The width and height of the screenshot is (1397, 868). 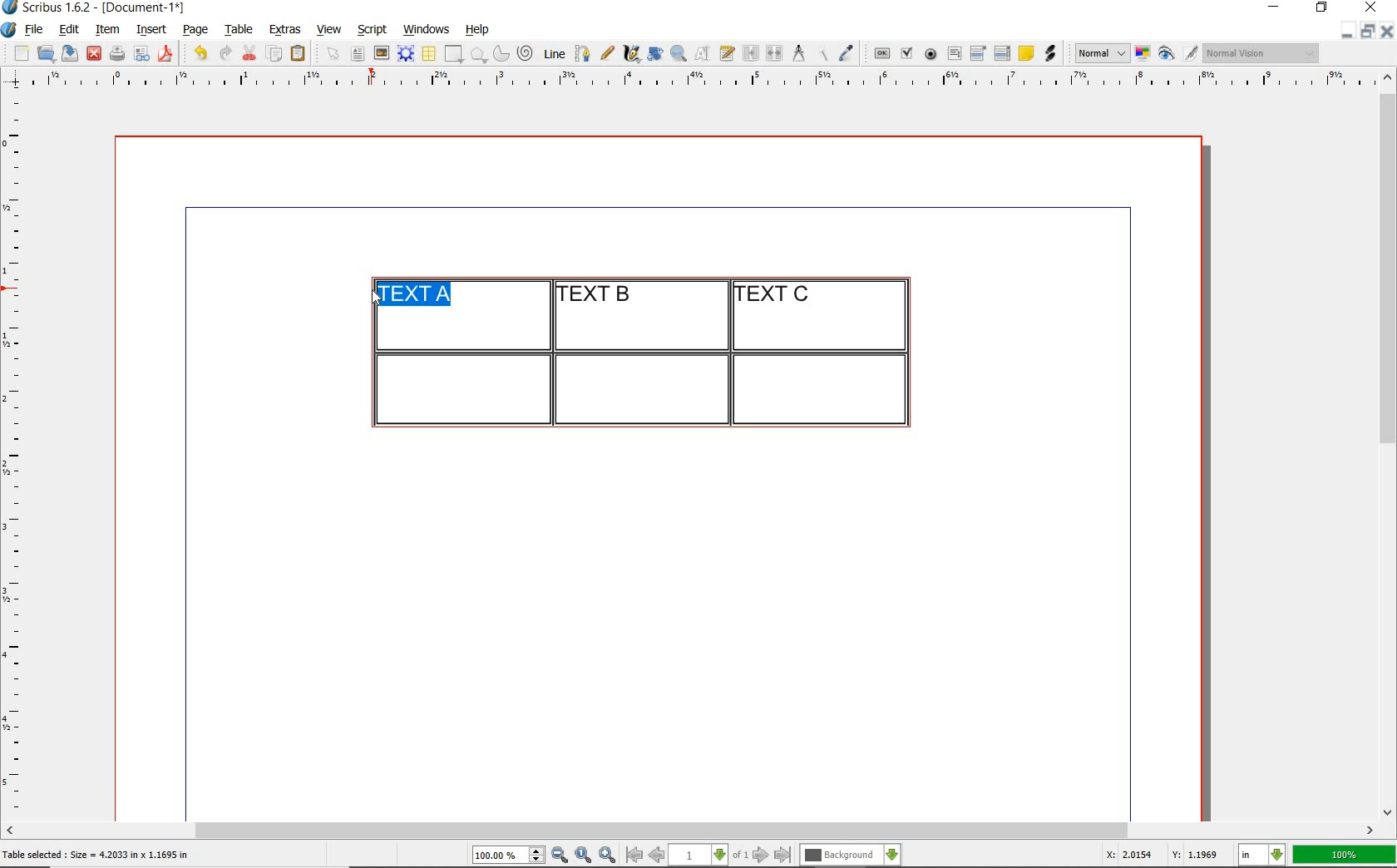 I want to click on spiral, so click(x=526, y=53).